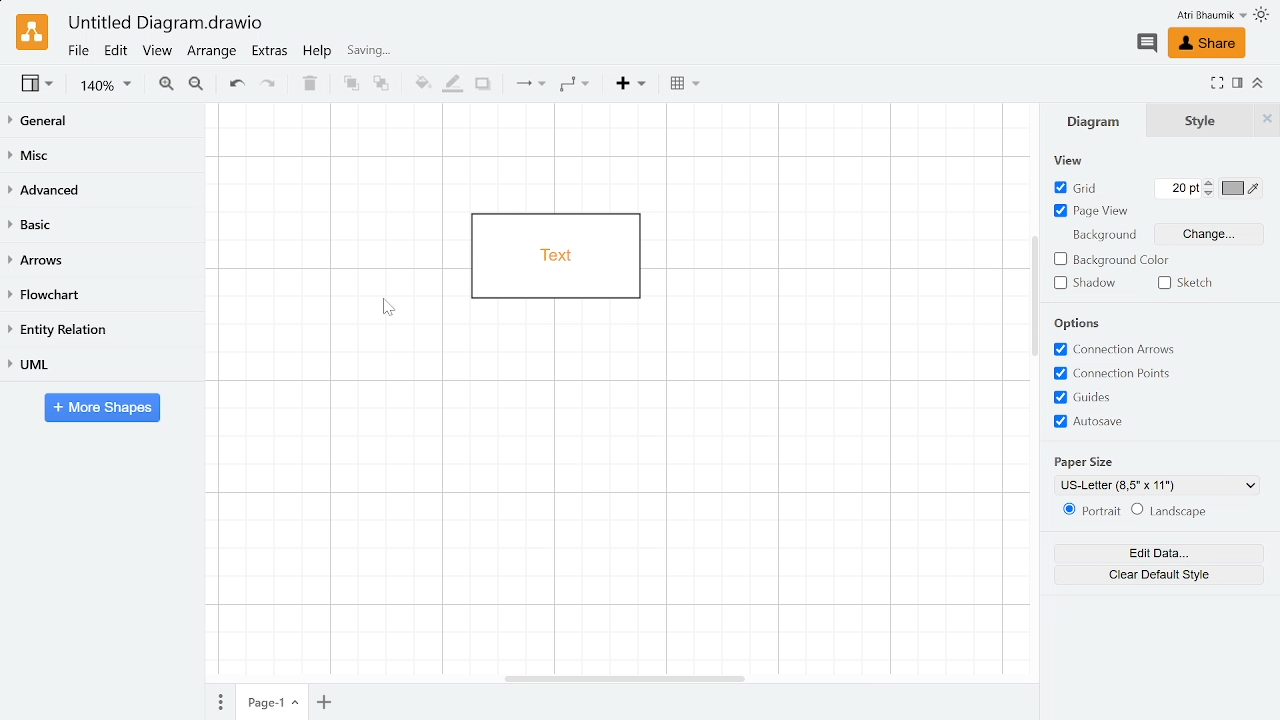 Image resolution: width=1280 pixels, height=720 pixels. I want to click on Extras, so click(272, 53).